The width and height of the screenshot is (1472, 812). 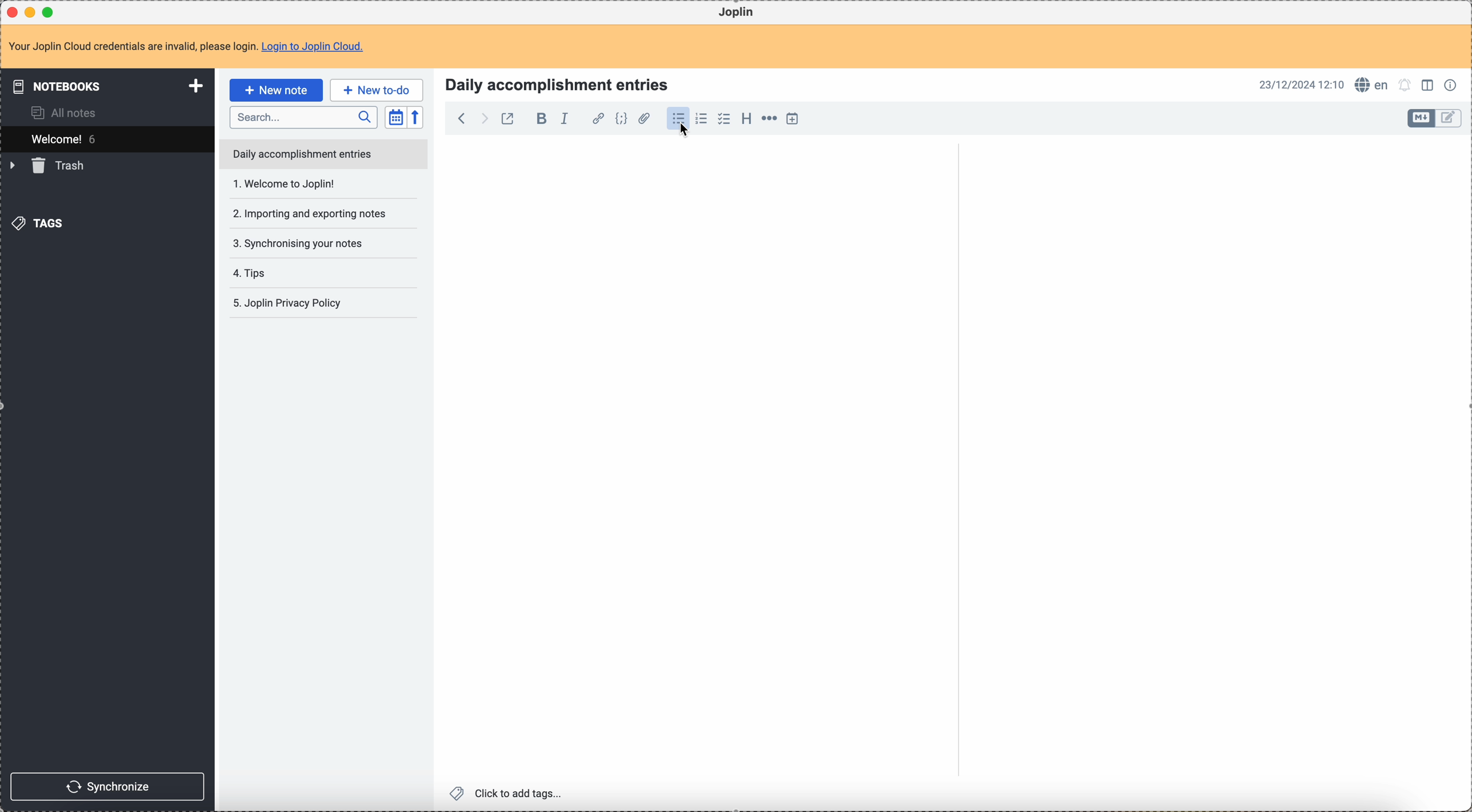 I want to click on toggle edit layout, so click(x=1422, y=118).